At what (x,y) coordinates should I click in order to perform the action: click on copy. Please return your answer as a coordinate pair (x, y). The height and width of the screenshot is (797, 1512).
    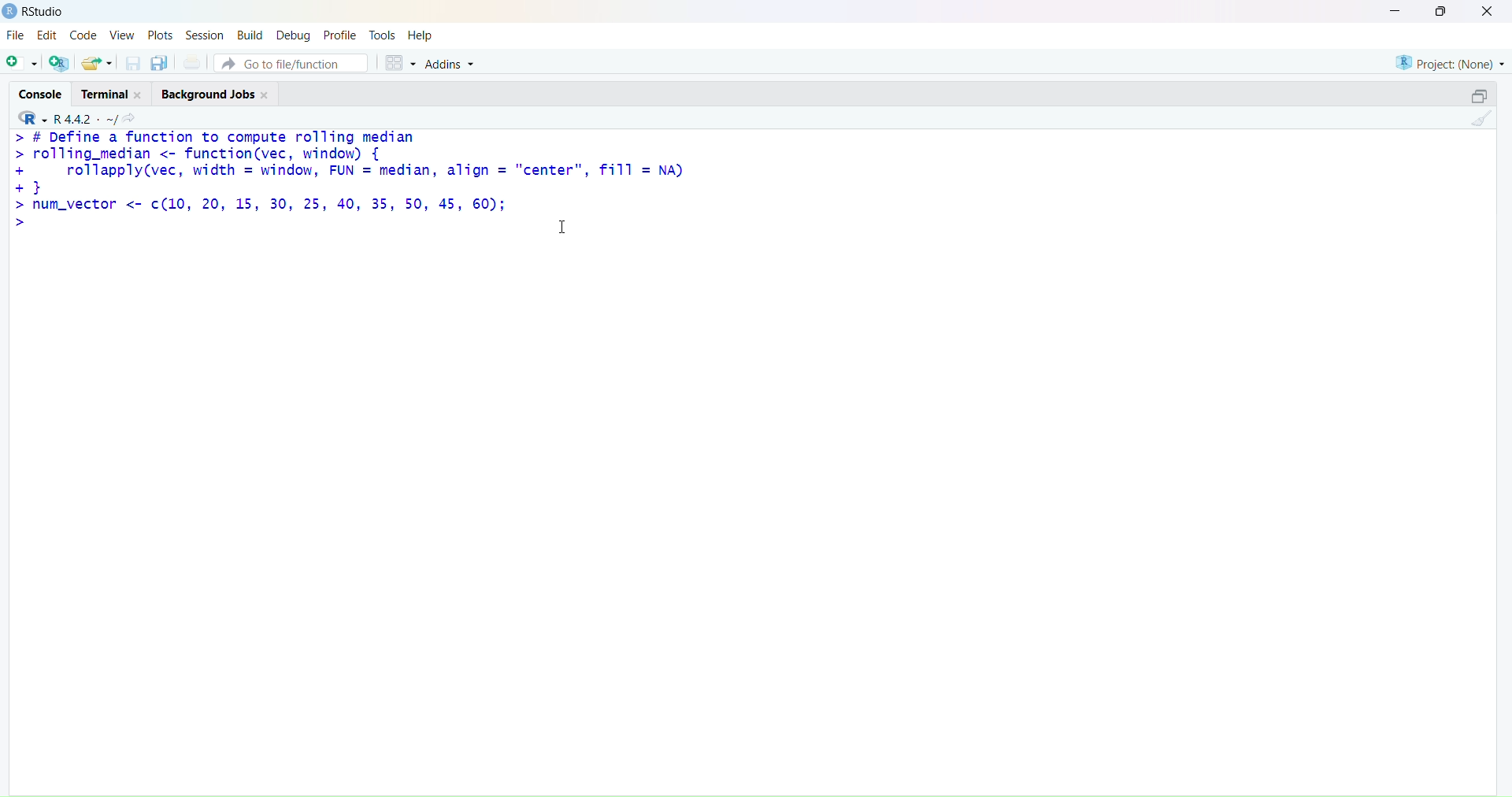
    Looking at the image, I should click on (160, 63).